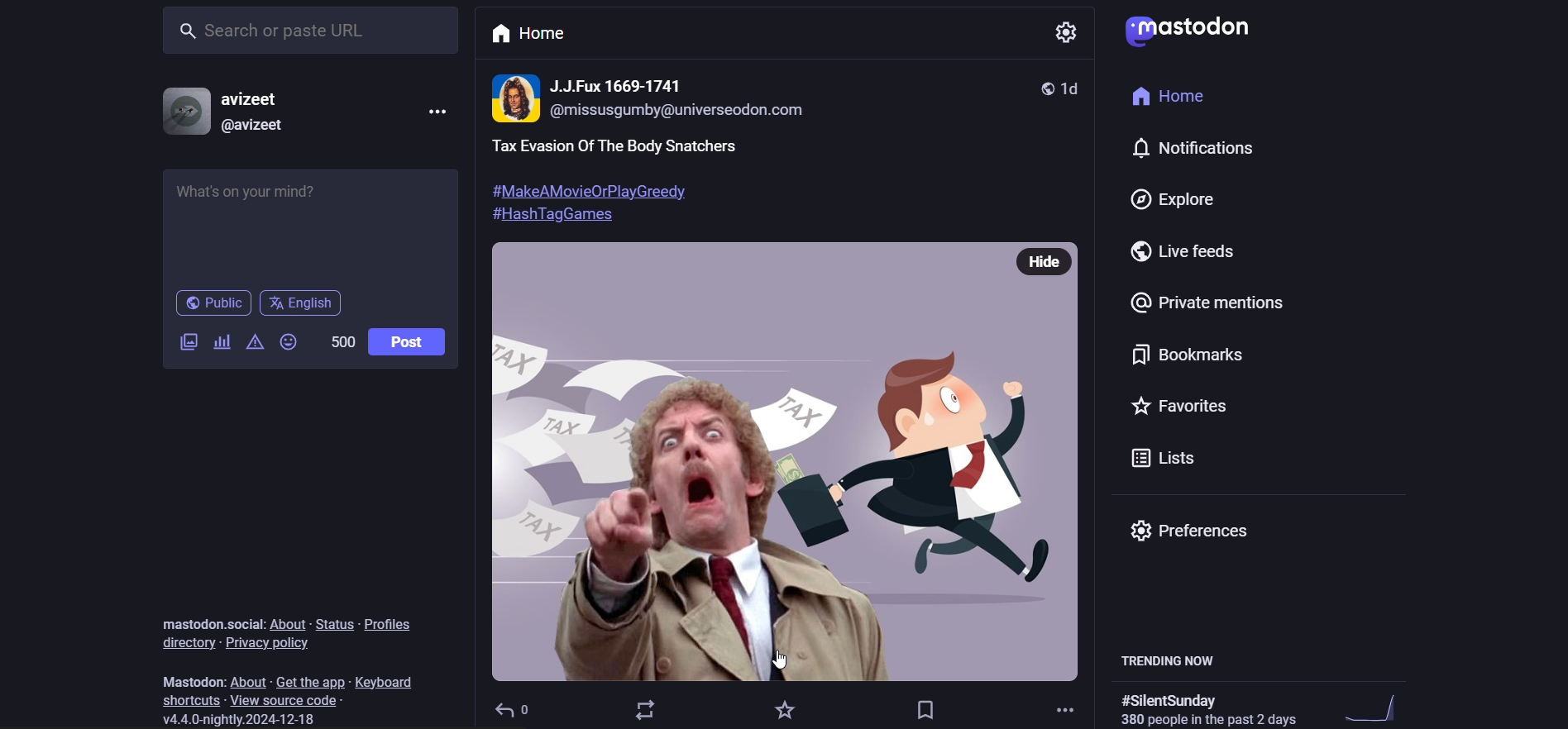 Image resolution: width=1568 pixels, height=729 pixels. I want to click on logo, so click(1196, 31).